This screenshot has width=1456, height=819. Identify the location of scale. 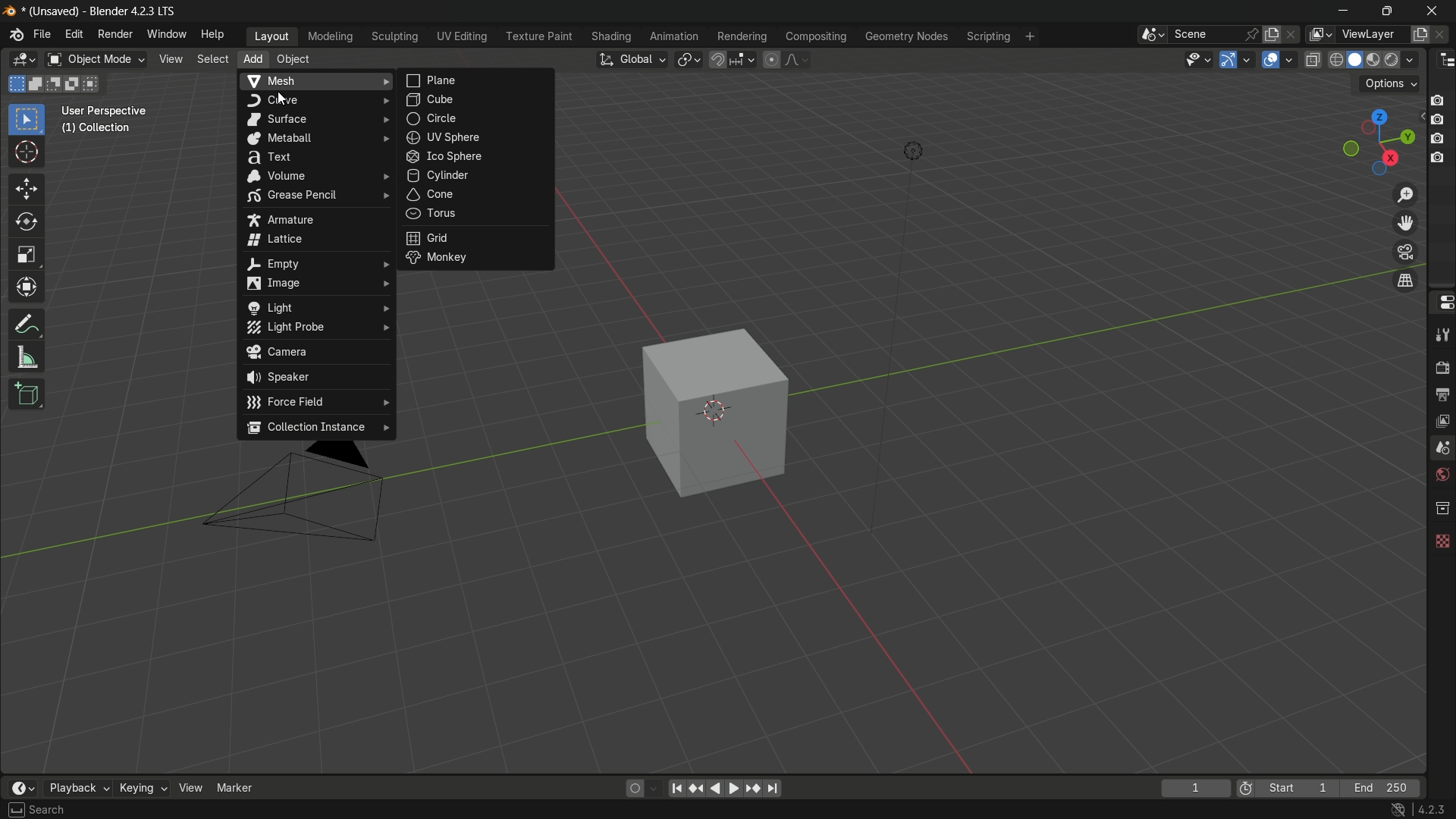
(26, 255).